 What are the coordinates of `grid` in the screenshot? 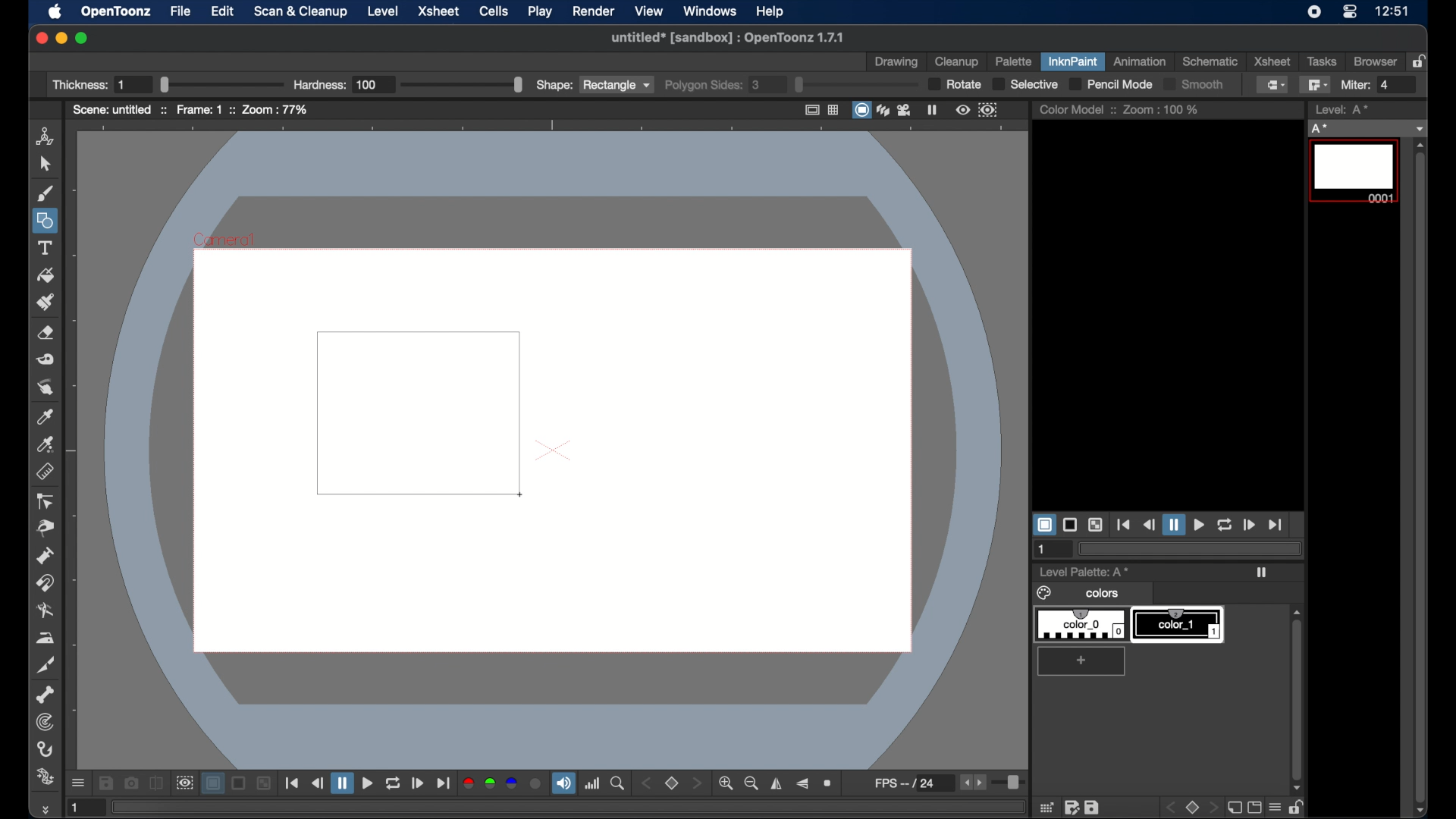 It's located at (1047, 807).